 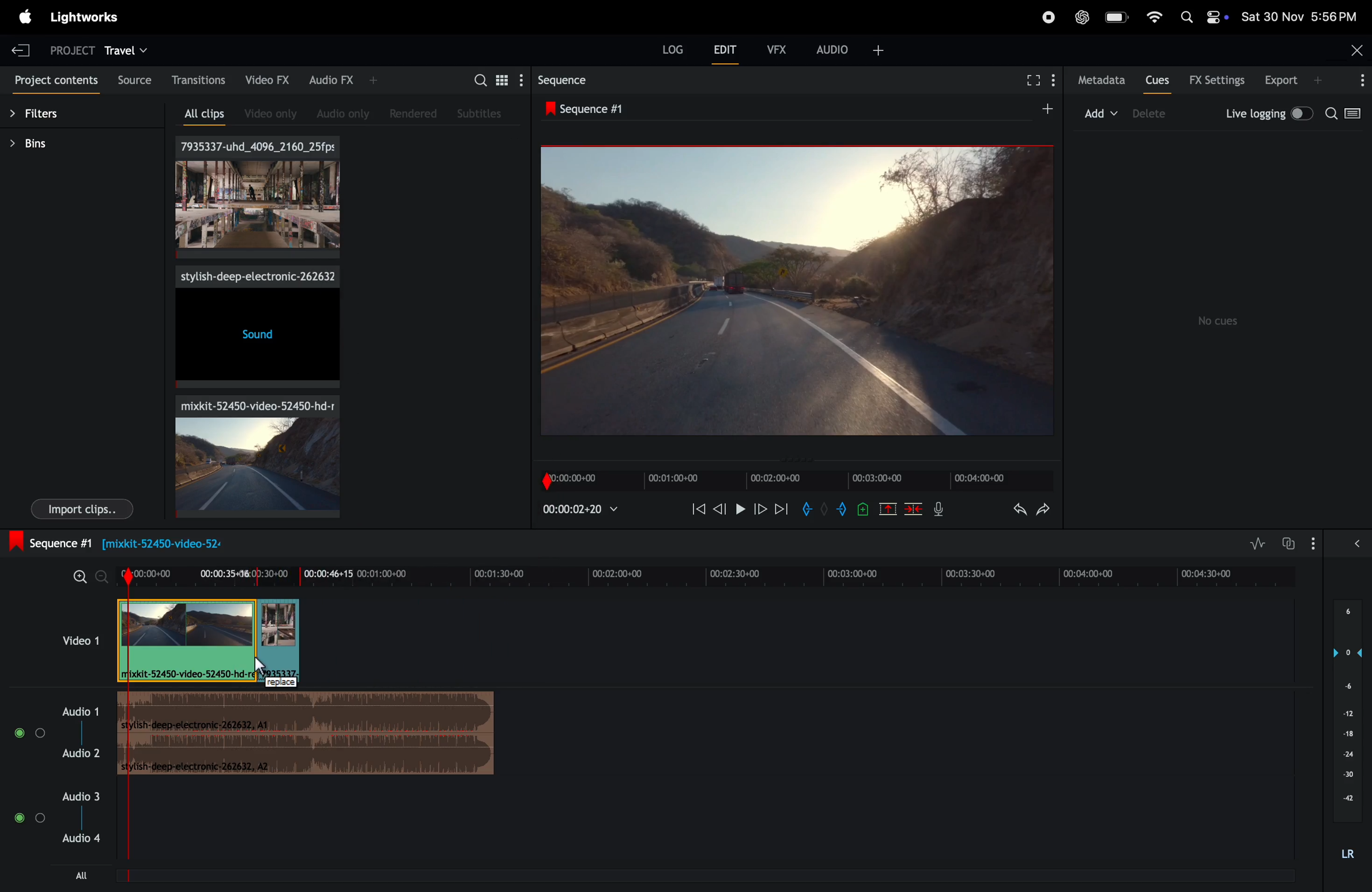 What do you see at coordinates (1287, 80) in the screenshot?
I see `export` at bounding box center [1287, 80].